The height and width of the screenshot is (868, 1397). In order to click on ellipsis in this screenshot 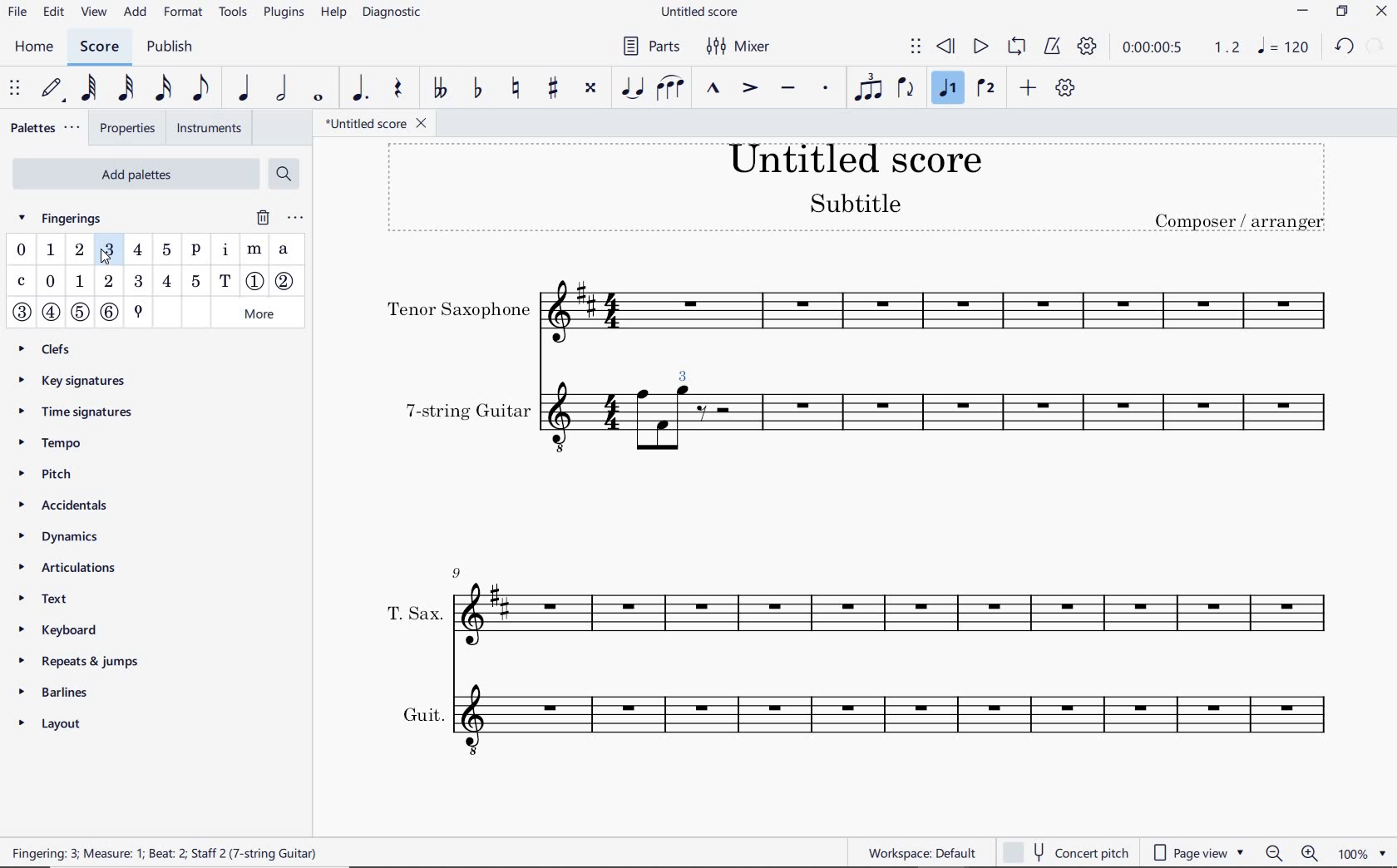, I will do `click(294, 218)`.